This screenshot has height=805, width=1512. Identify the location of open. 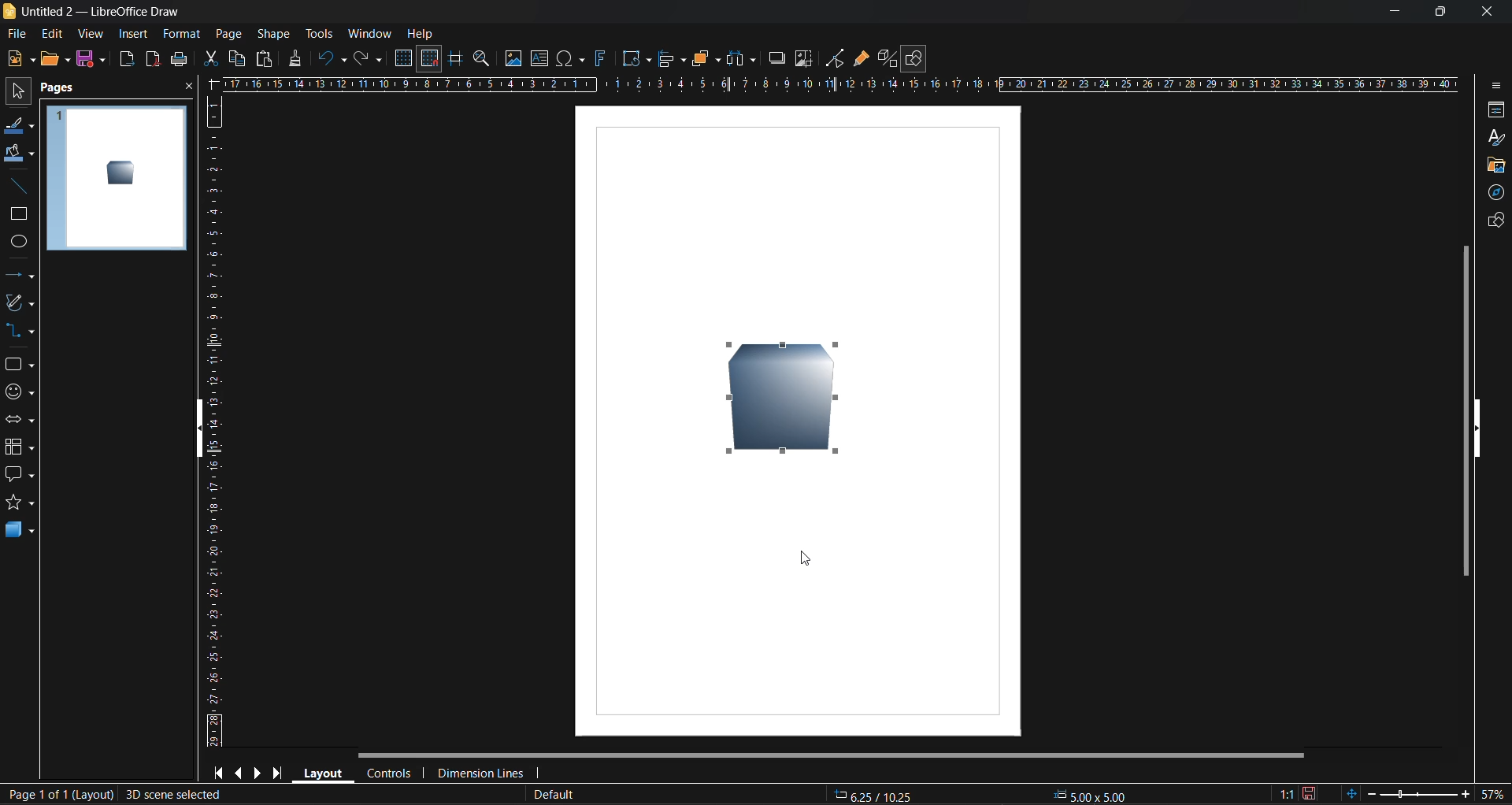
(54, 58).